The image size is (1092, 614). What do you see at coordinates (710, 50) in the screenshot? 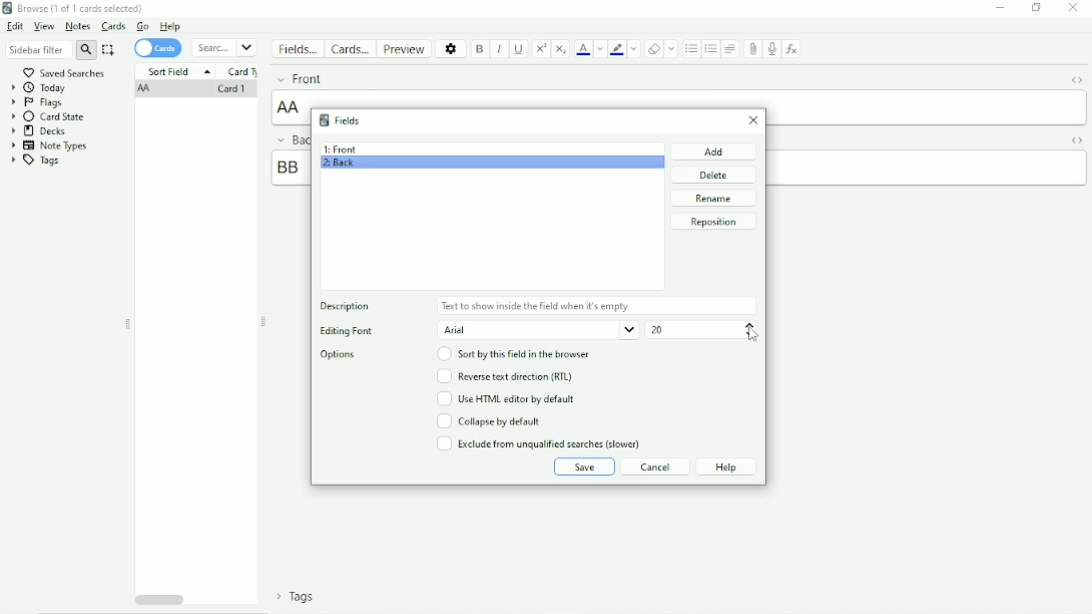
I see `Ordered list` at bounding box center [710, 50].